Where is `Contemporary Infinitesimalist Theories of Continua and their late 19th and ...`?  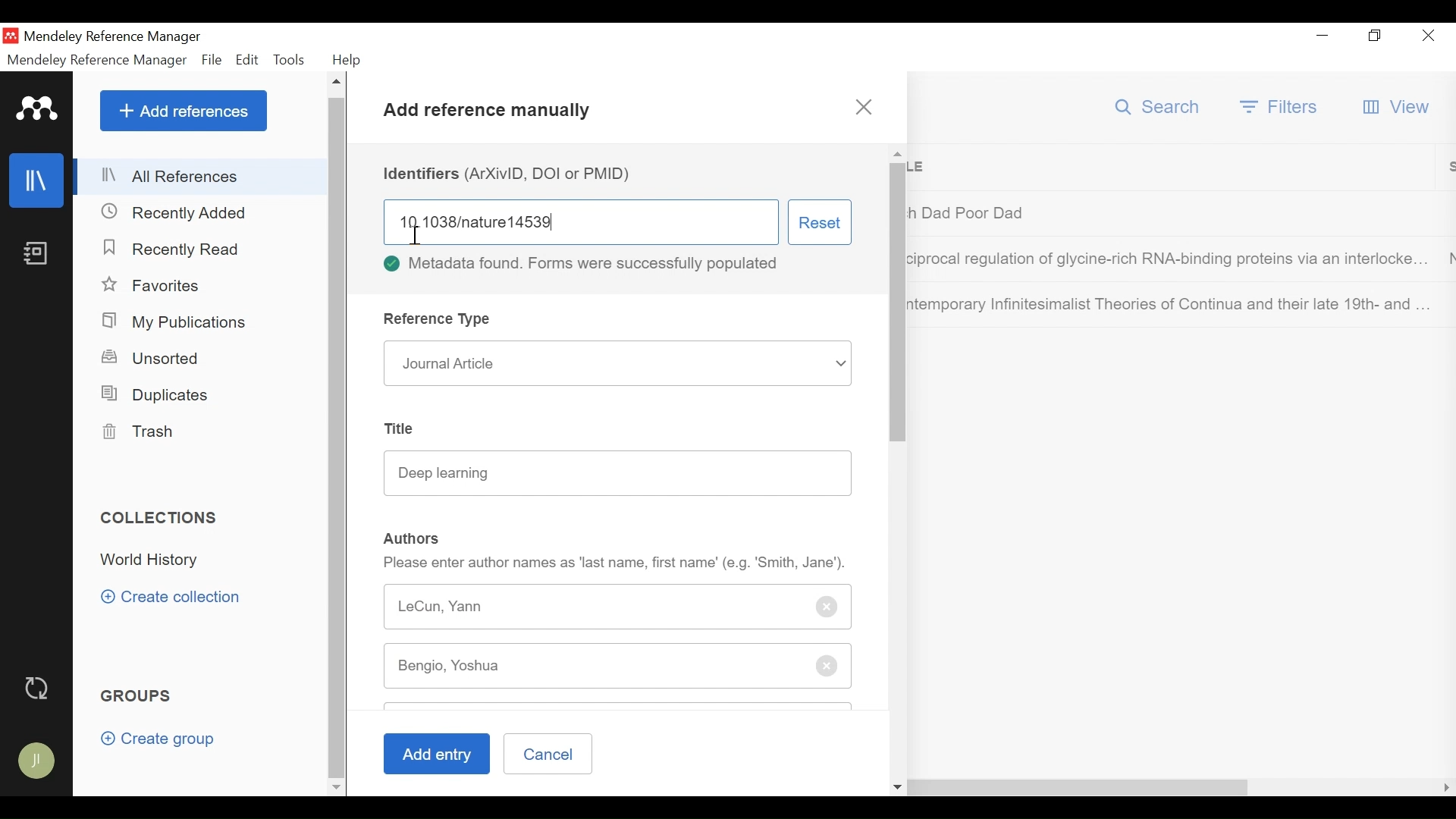
Contemporary Infinitesimalist Theories of Continua and their late 19th and ... is located at coordinates (1171, 304).